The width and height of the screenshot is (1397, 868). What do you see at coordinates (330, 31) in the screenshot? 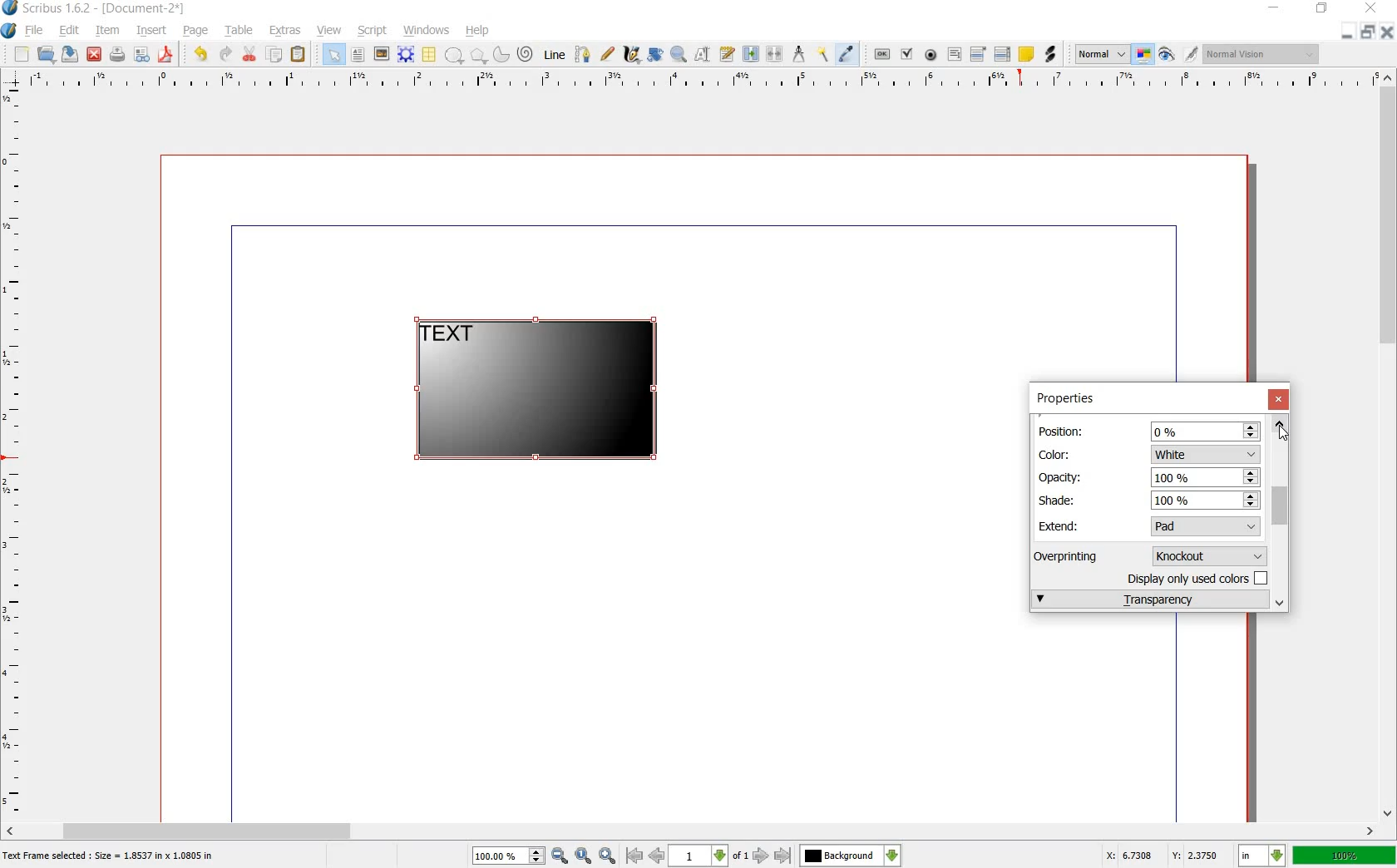
I see `view` at bounding box center [330, 31].